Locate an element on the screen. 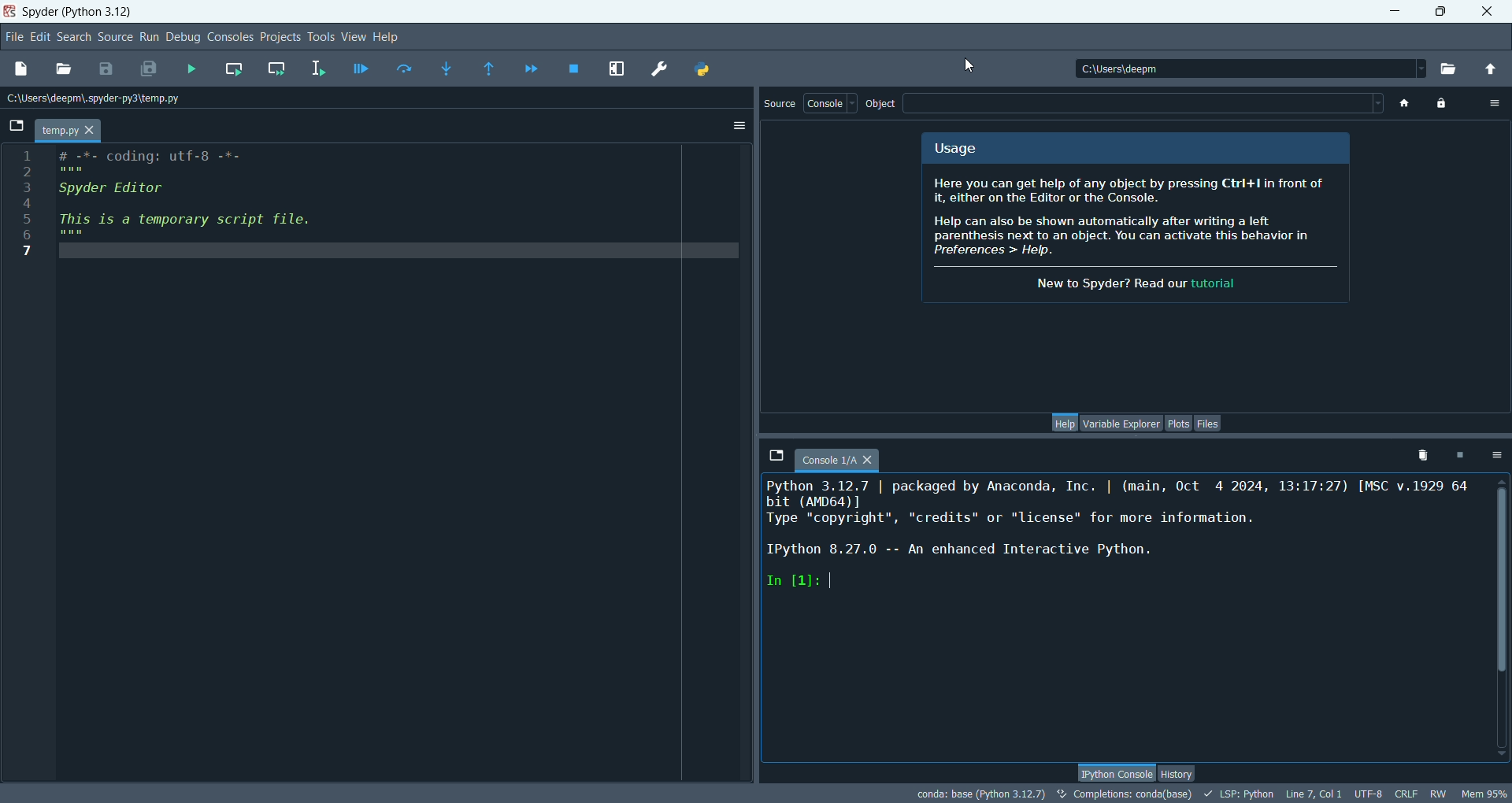 The width and height of the screenshot is (1512, 803). run files is located at coordinates (198, 71).